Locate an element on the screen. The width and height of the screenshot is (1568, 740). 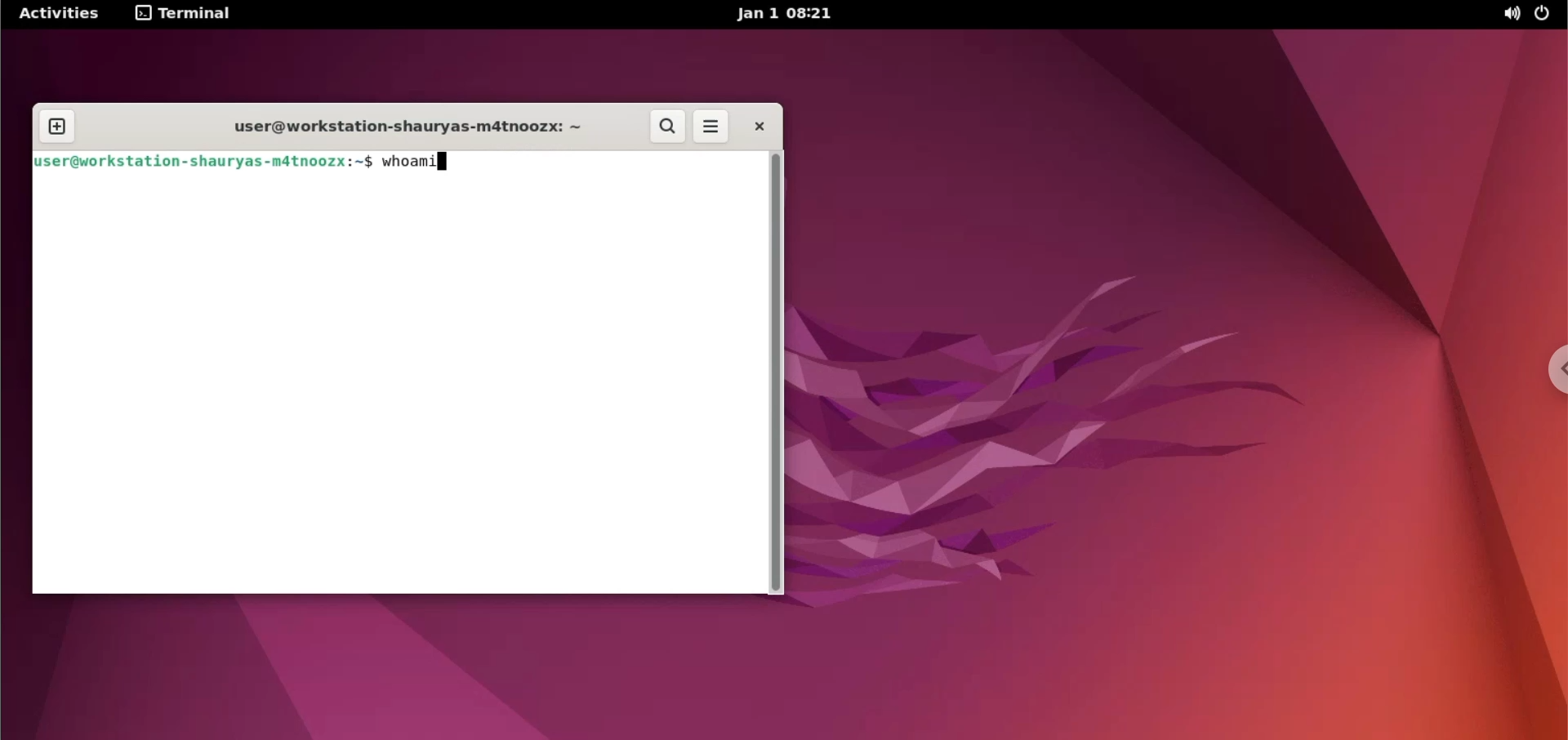
user@workstation-shauryas-m4tnoozx:~$ is located at coordinates (205, 163).